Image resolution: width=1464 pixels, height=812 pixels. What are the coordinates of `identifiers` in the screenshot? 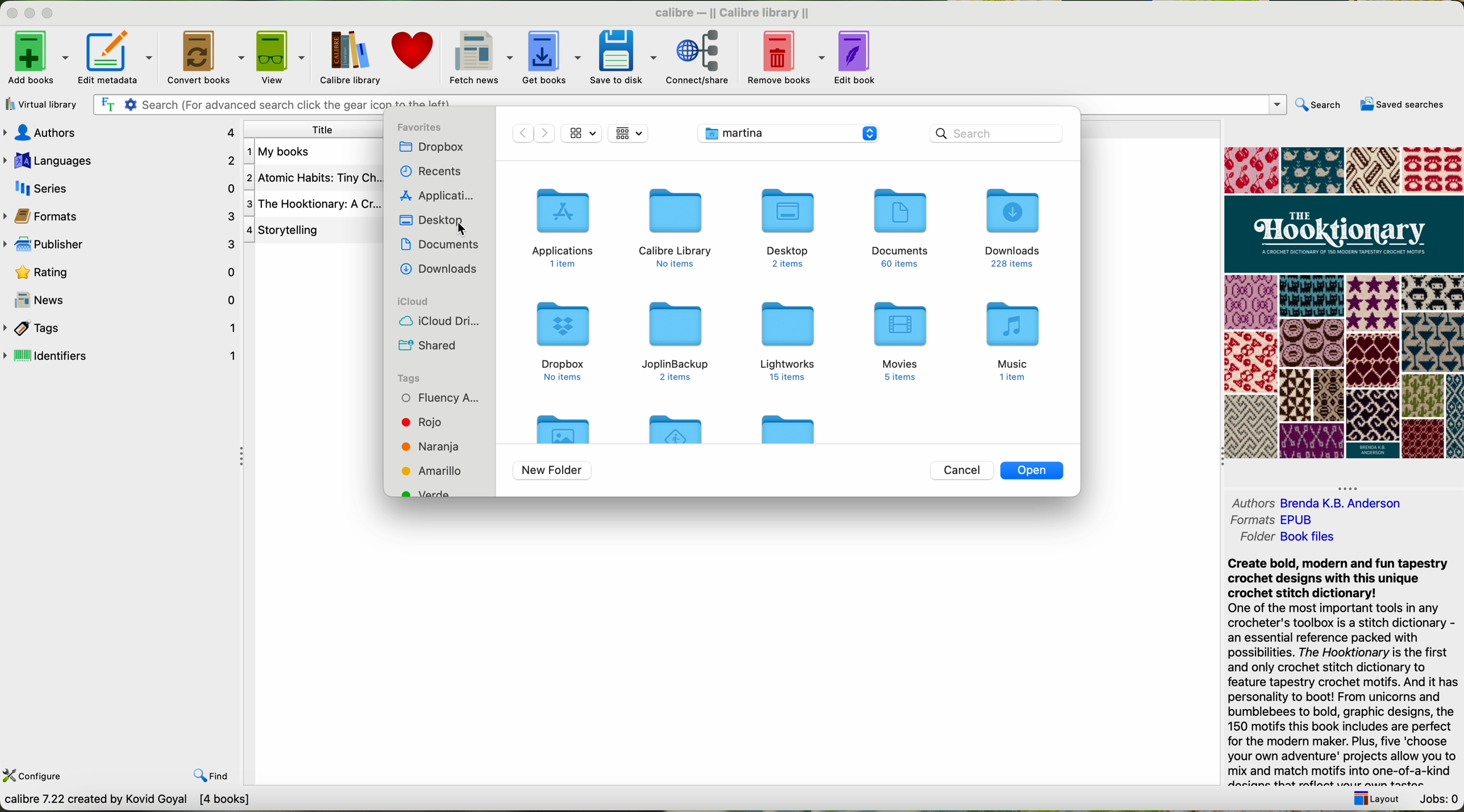 It's located at (121, 355).